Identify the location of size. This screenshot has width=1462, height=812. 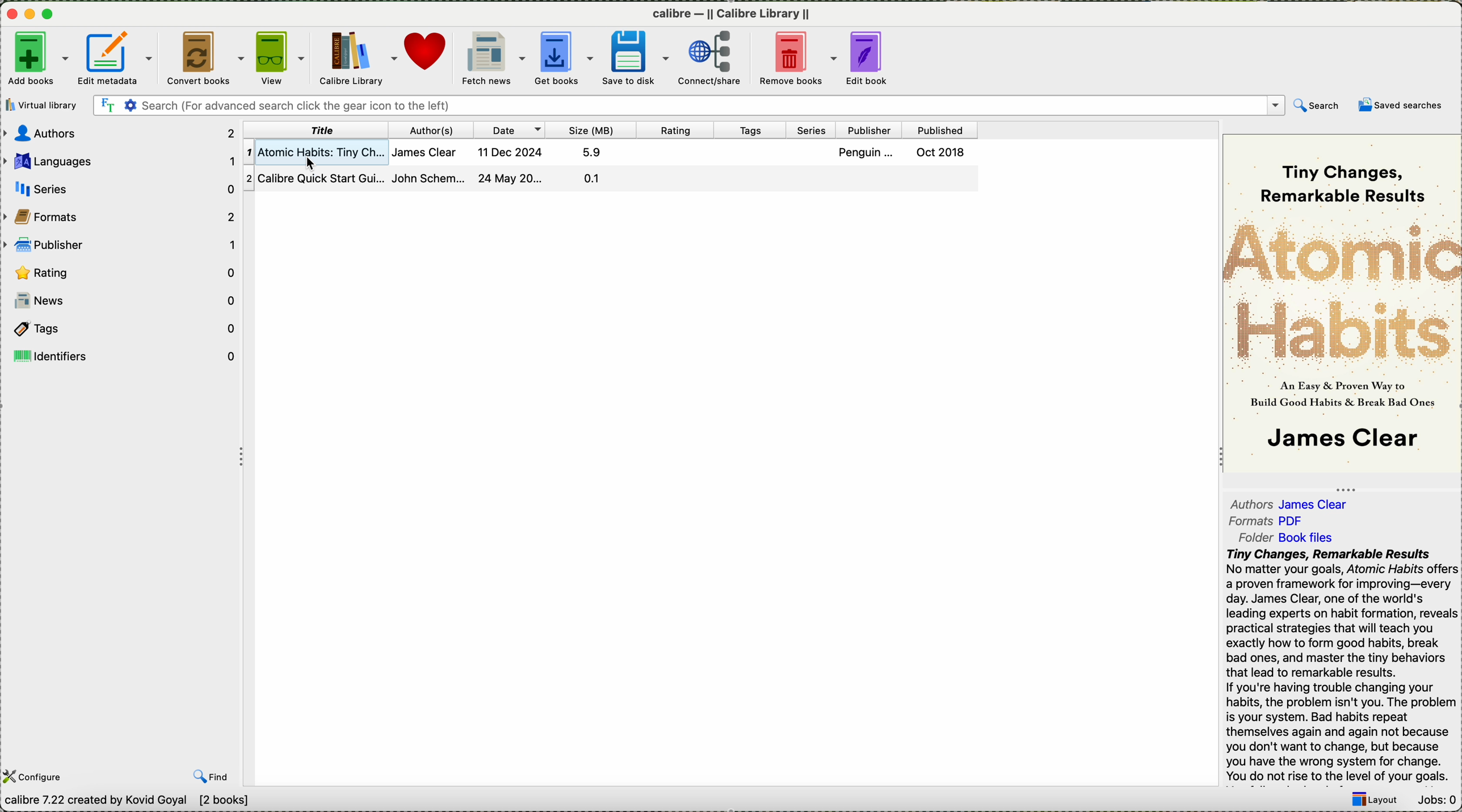
(592, 129).